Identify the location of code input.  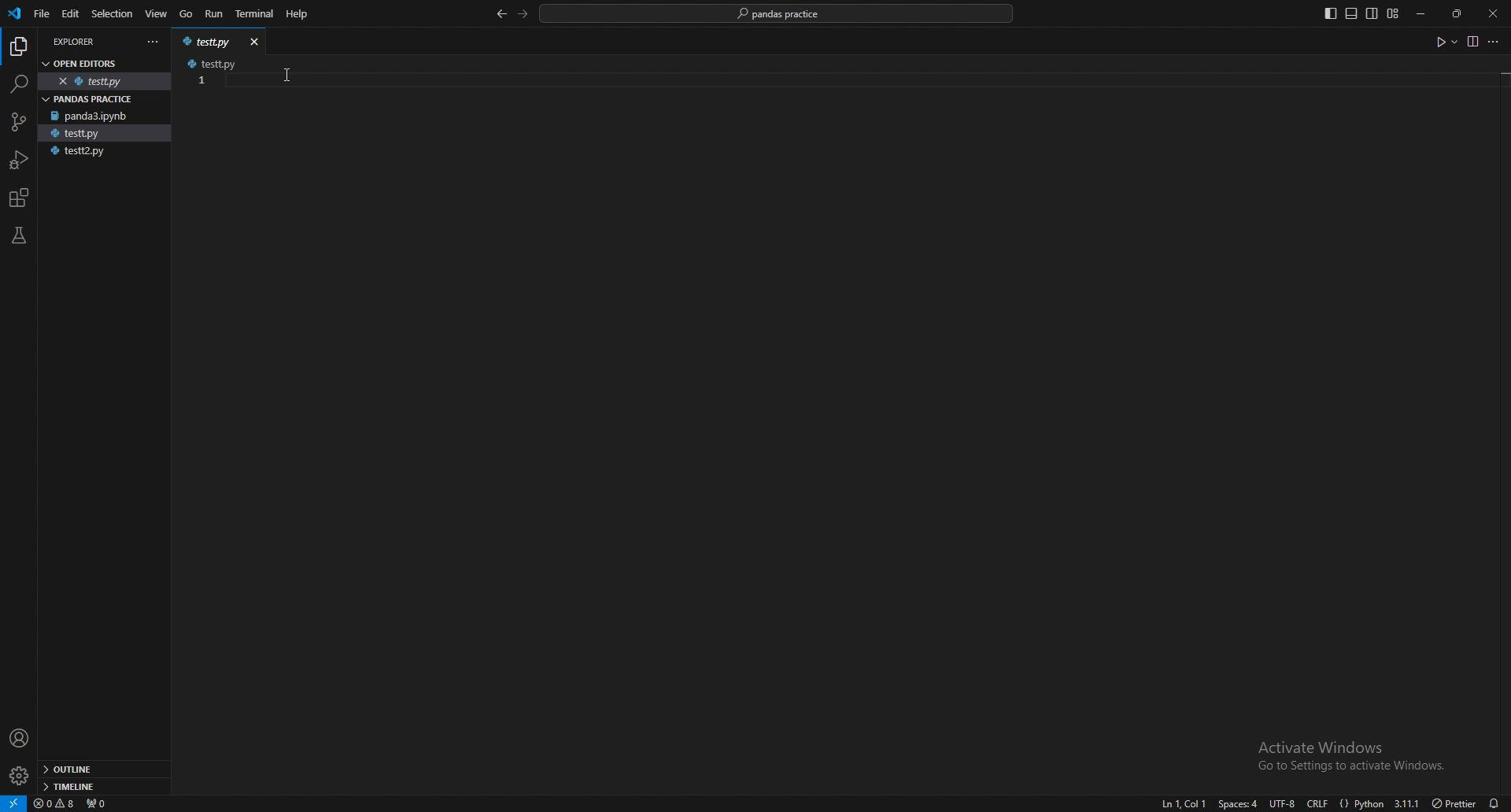
(691, 82).